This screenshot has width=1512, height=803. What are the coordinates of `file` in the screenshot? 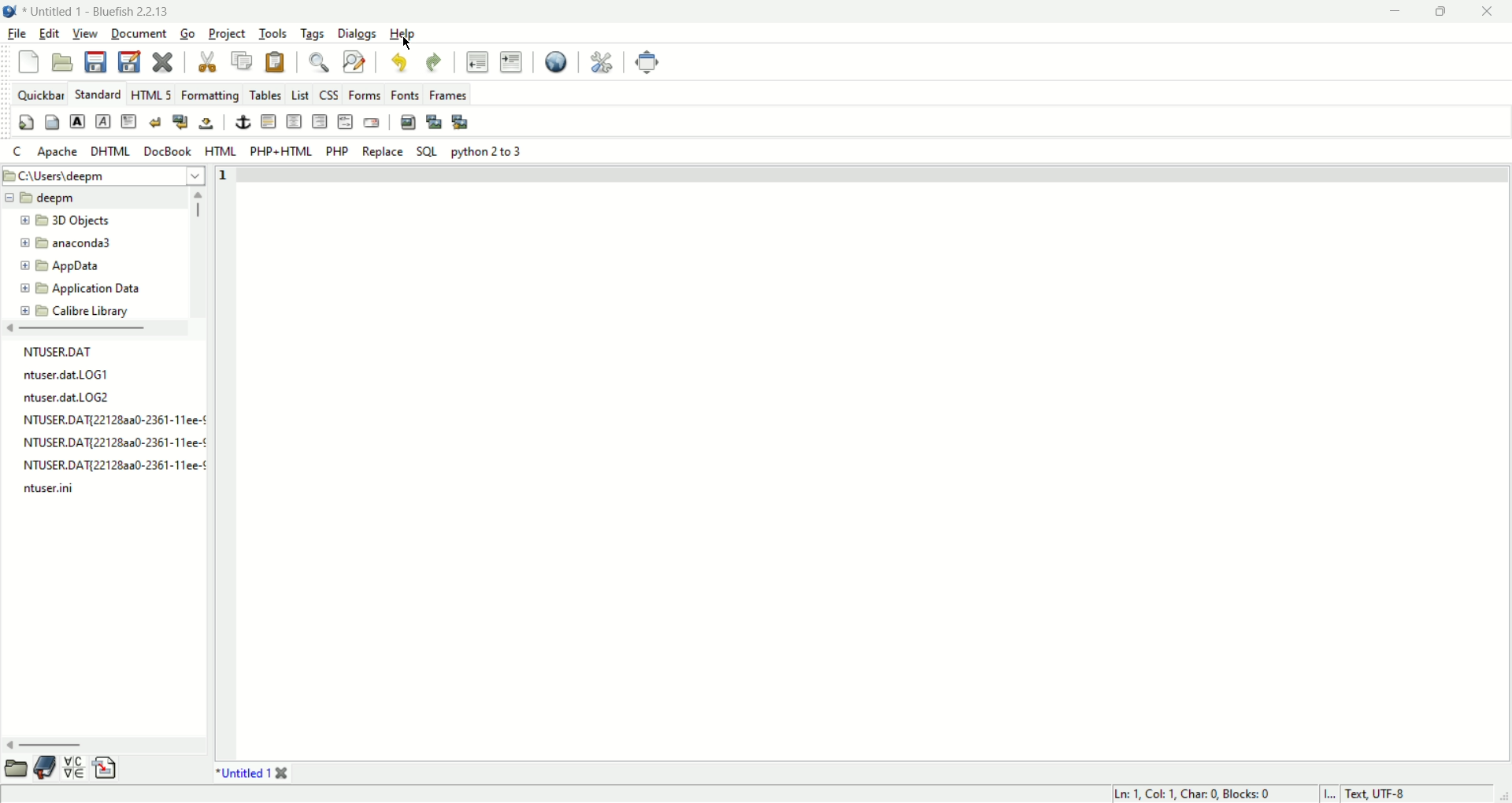 It's located at (15, 34).